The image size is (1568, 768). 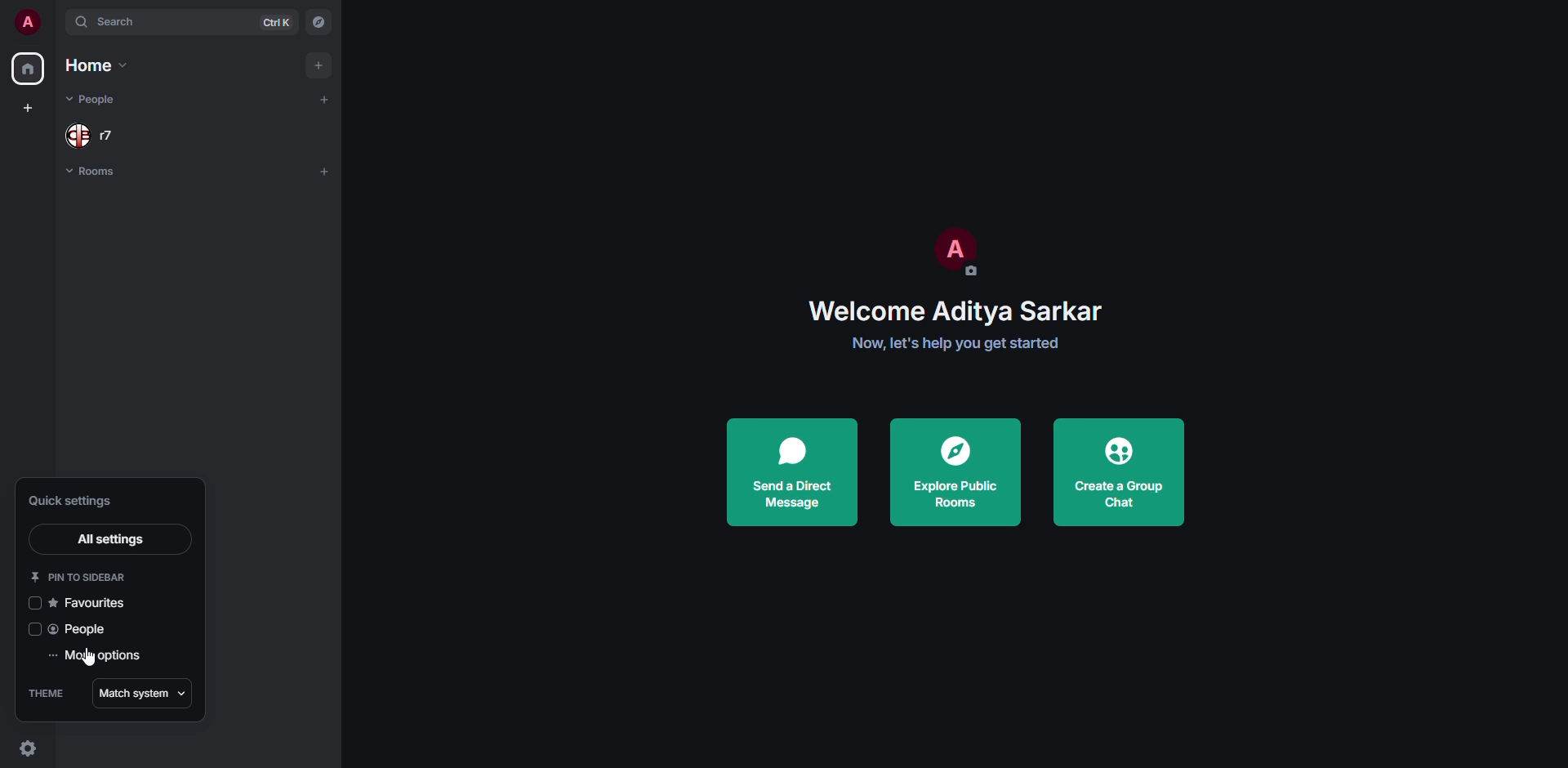 I want to click on all settings, so click(x=109, y=538).